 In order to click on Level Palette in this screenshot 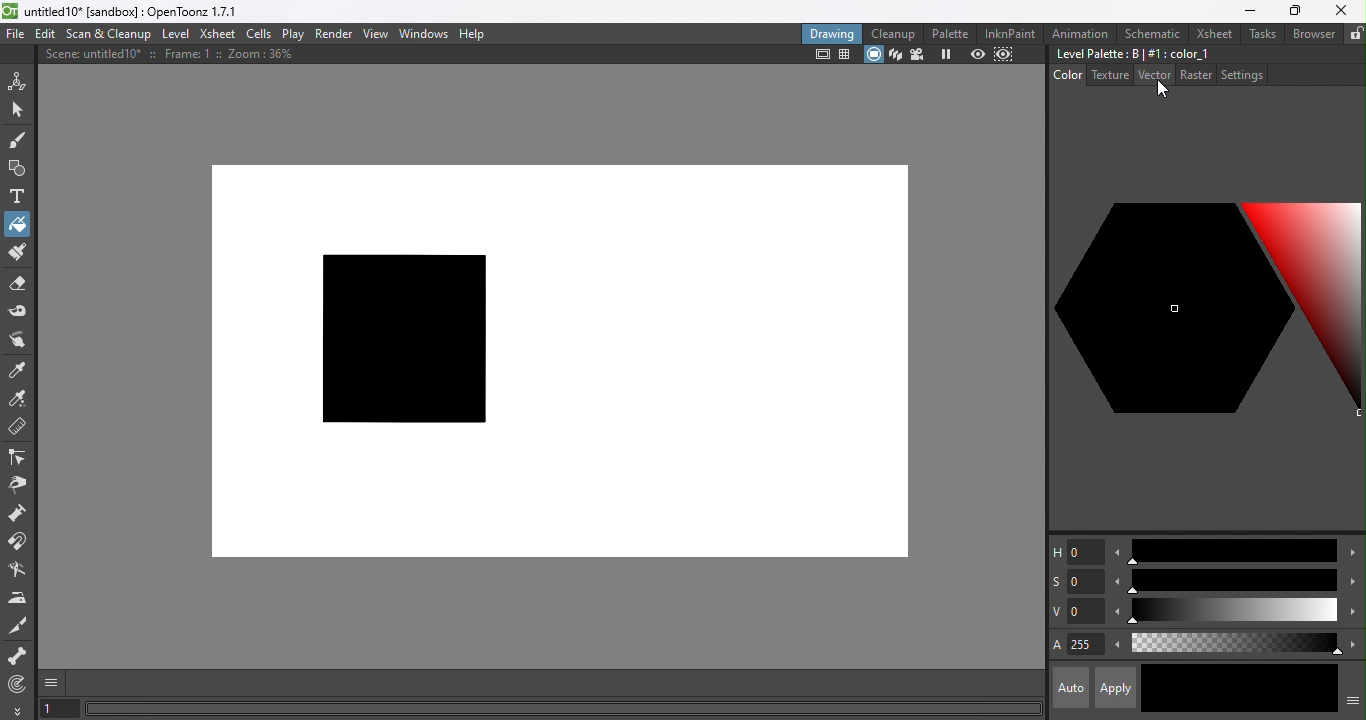, I will do `click(1132, 54)`.